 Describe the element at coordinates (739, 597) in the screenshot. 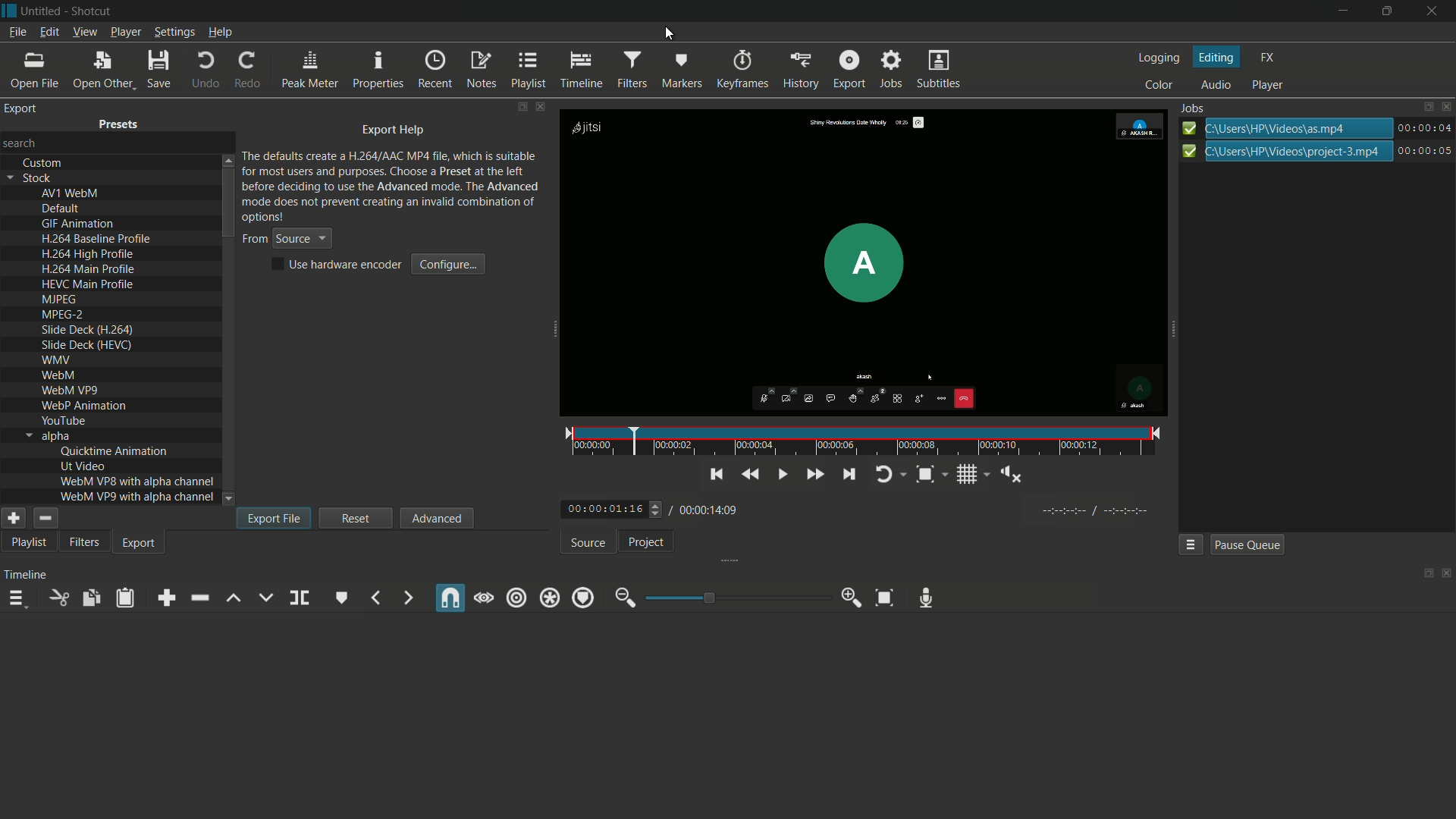

I see `adjustment bar` at that location.